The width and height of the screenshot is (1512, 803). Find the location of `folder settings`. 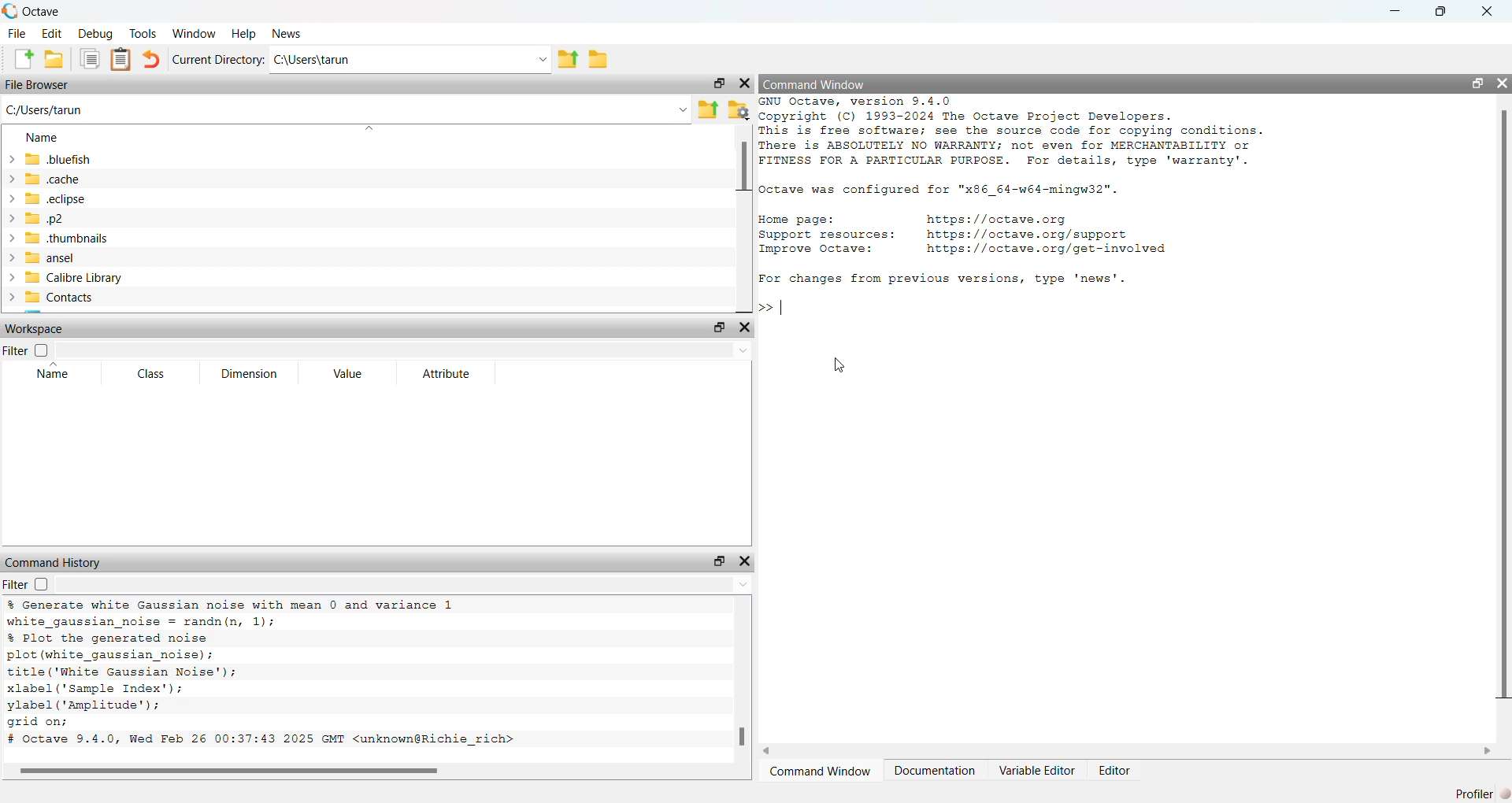

folder settings is located at coordinates (736, 111).